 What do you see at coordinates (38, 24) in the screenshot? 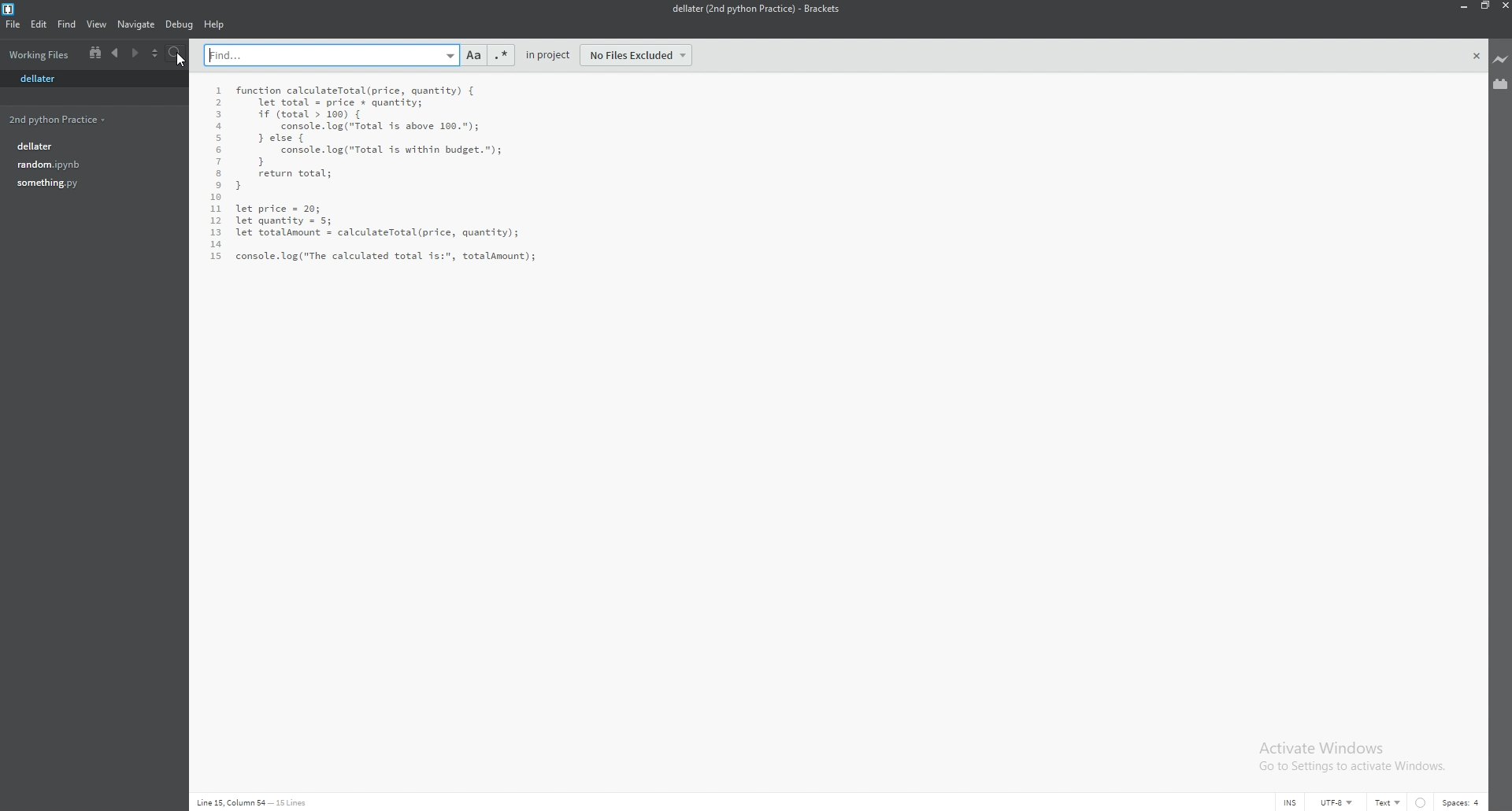
I see `edit` at bounding box center [38, 24].